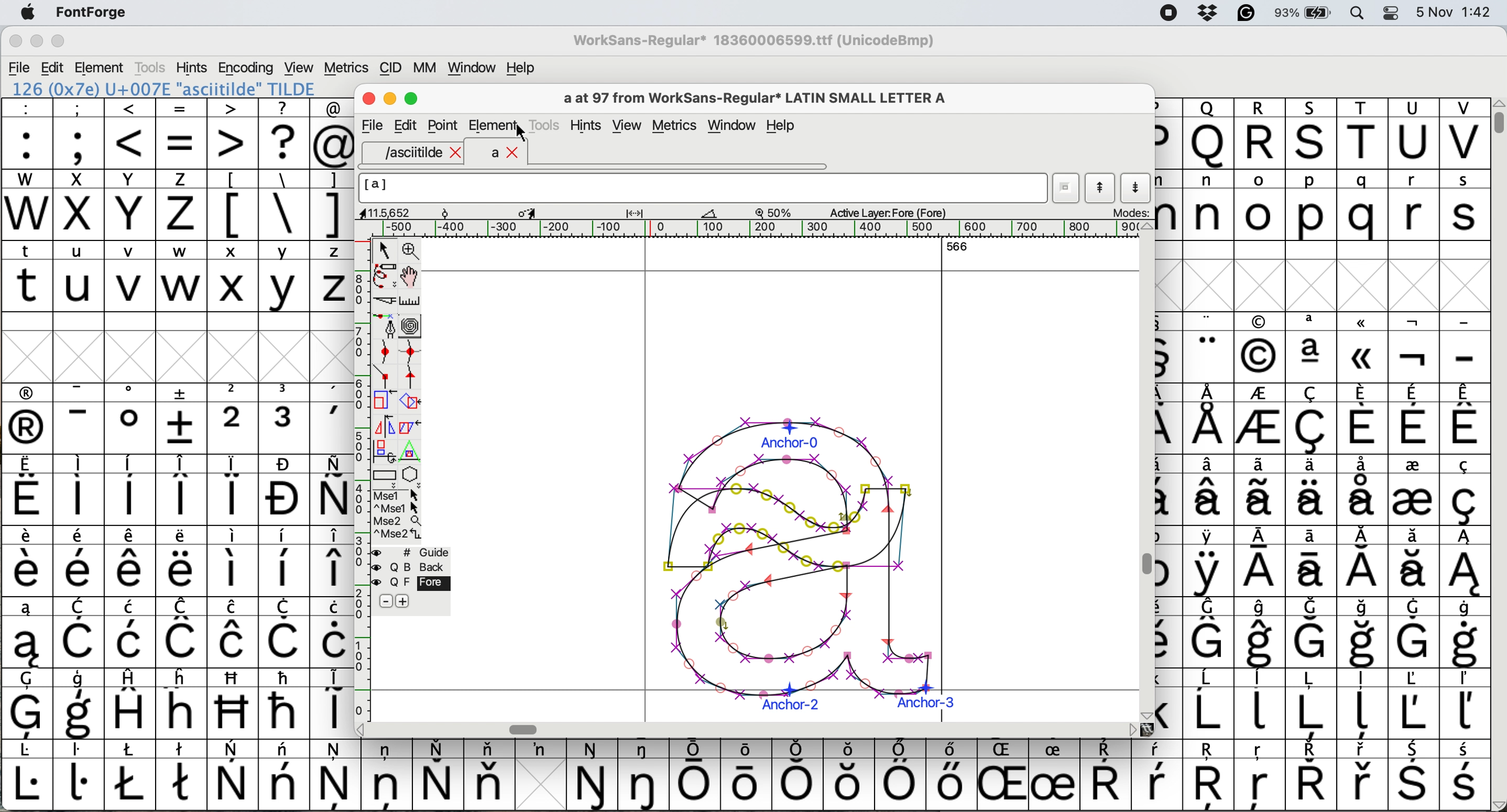 The image size is (1507, 812). What do you see at coordinates (1412, 703) in the screenshot?
I see `symbol` at bounding box center [1412, 703].